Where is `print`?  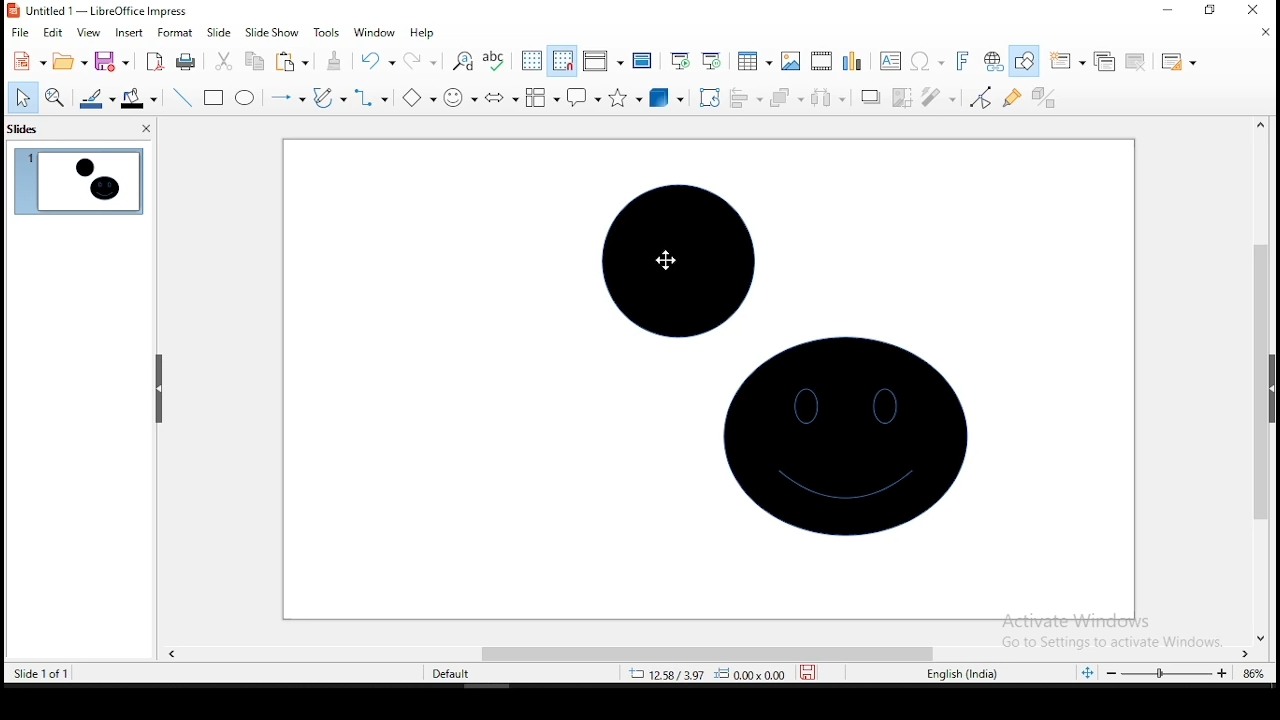 print is located at coordinates (186, 63).